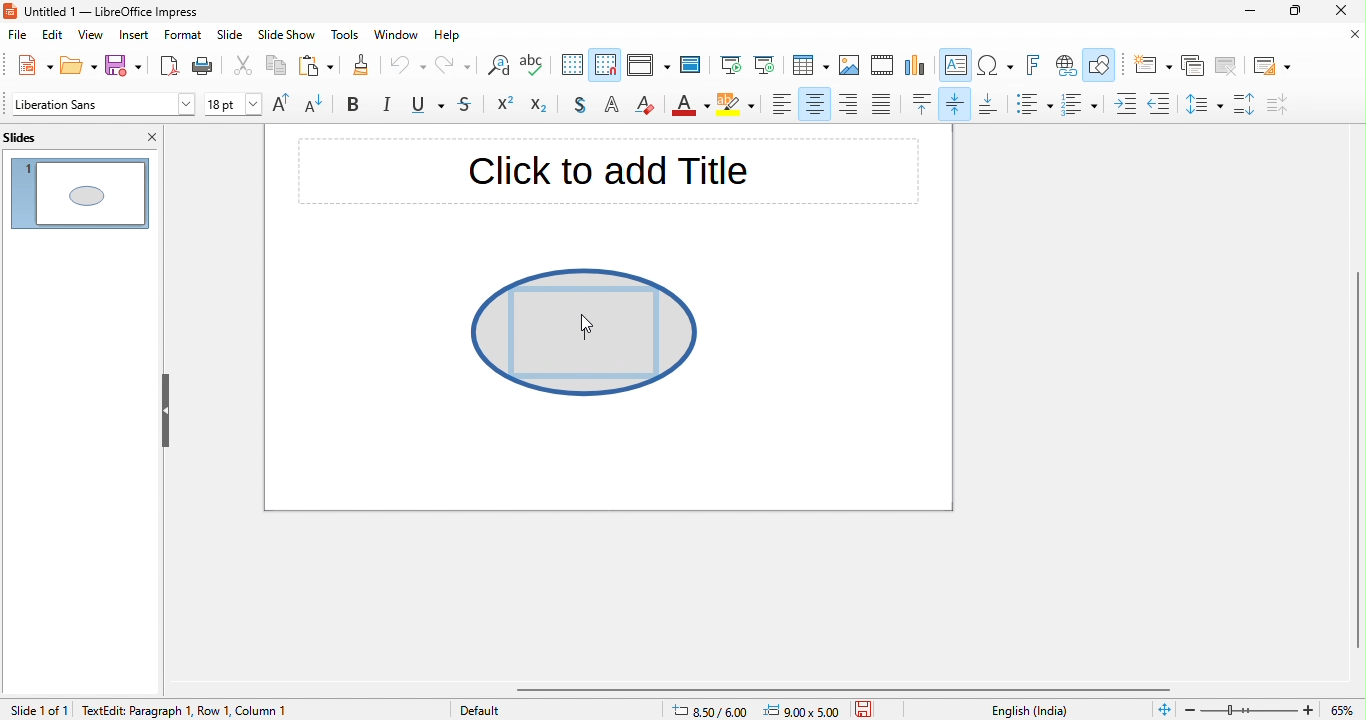  I want to click on hyperlink, so click(1065, 66).